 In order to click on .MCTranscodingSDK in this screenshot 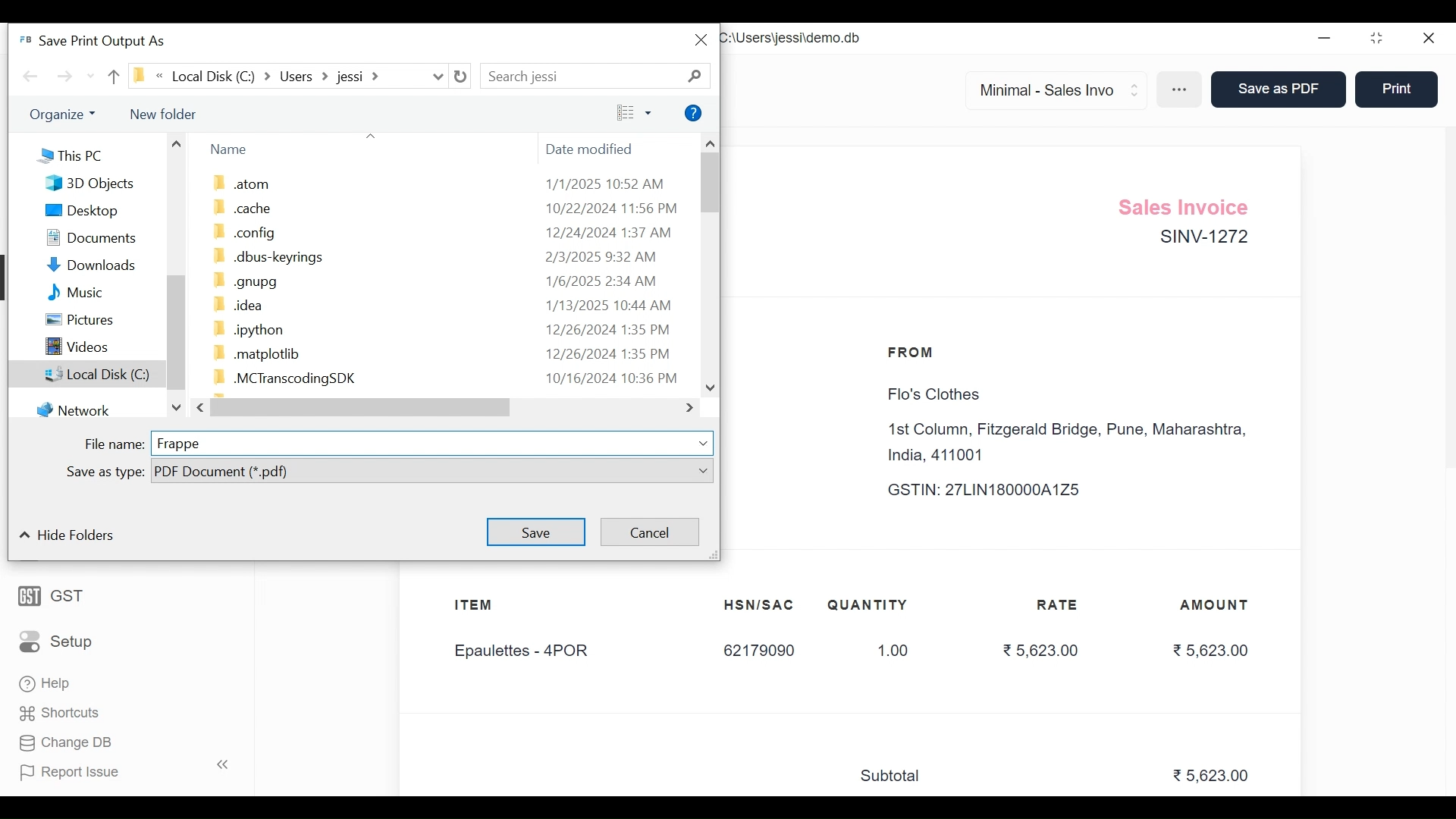, I will do `click(278, 376)`.